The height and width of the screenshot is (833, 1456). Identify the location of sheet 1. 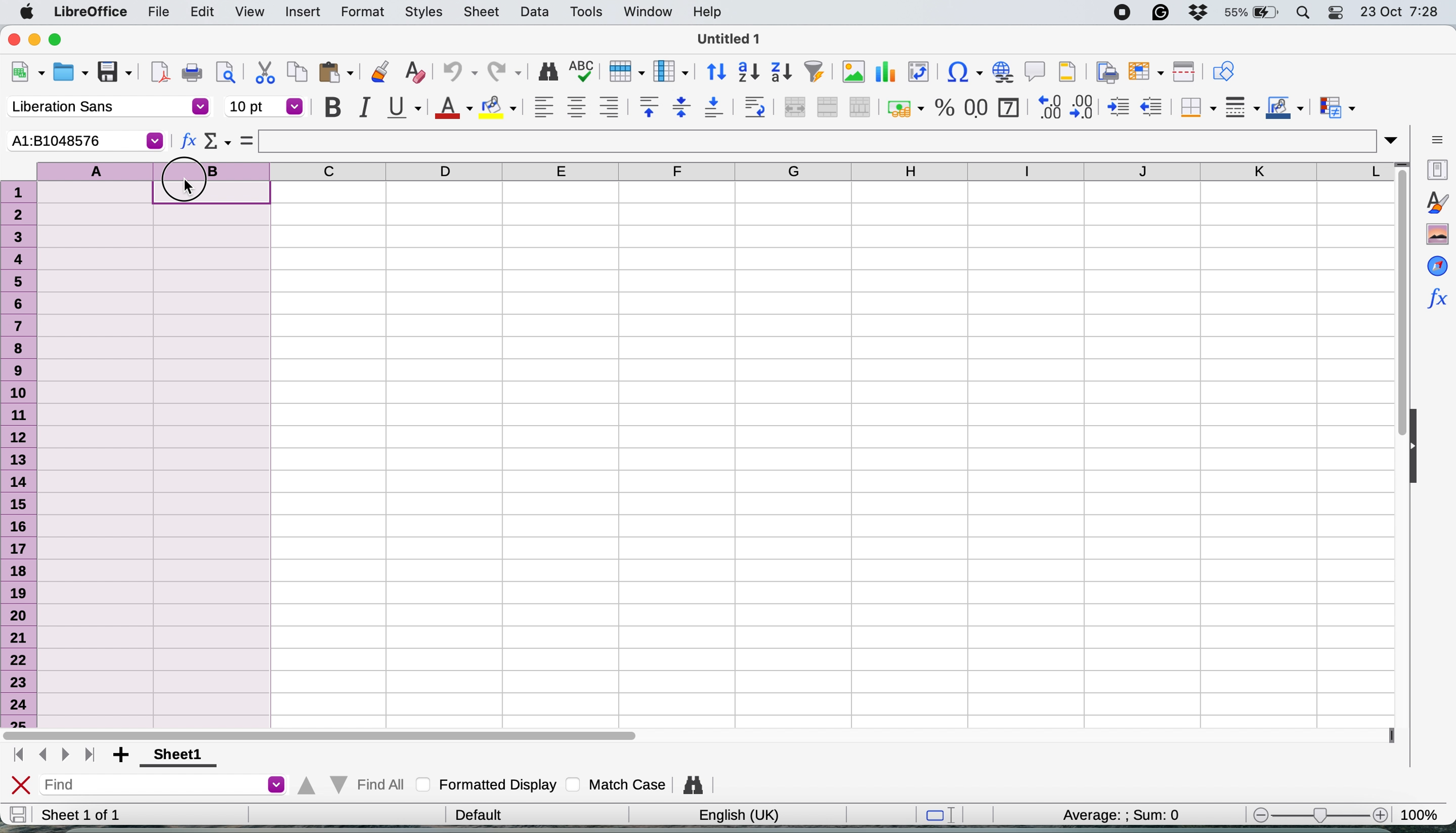
(180, 755).